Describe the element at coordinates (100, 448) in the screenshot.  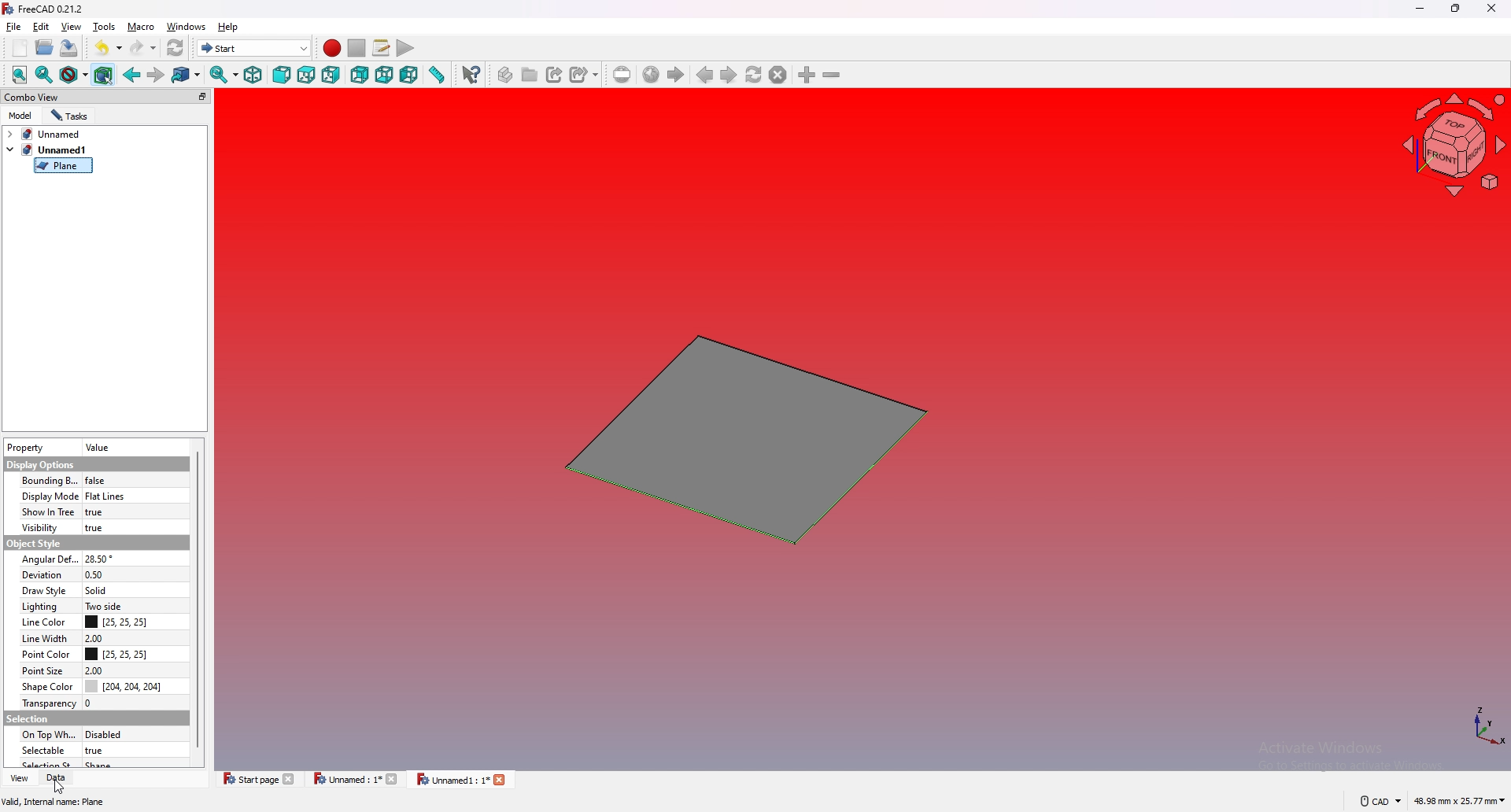
I see `value` at that location.